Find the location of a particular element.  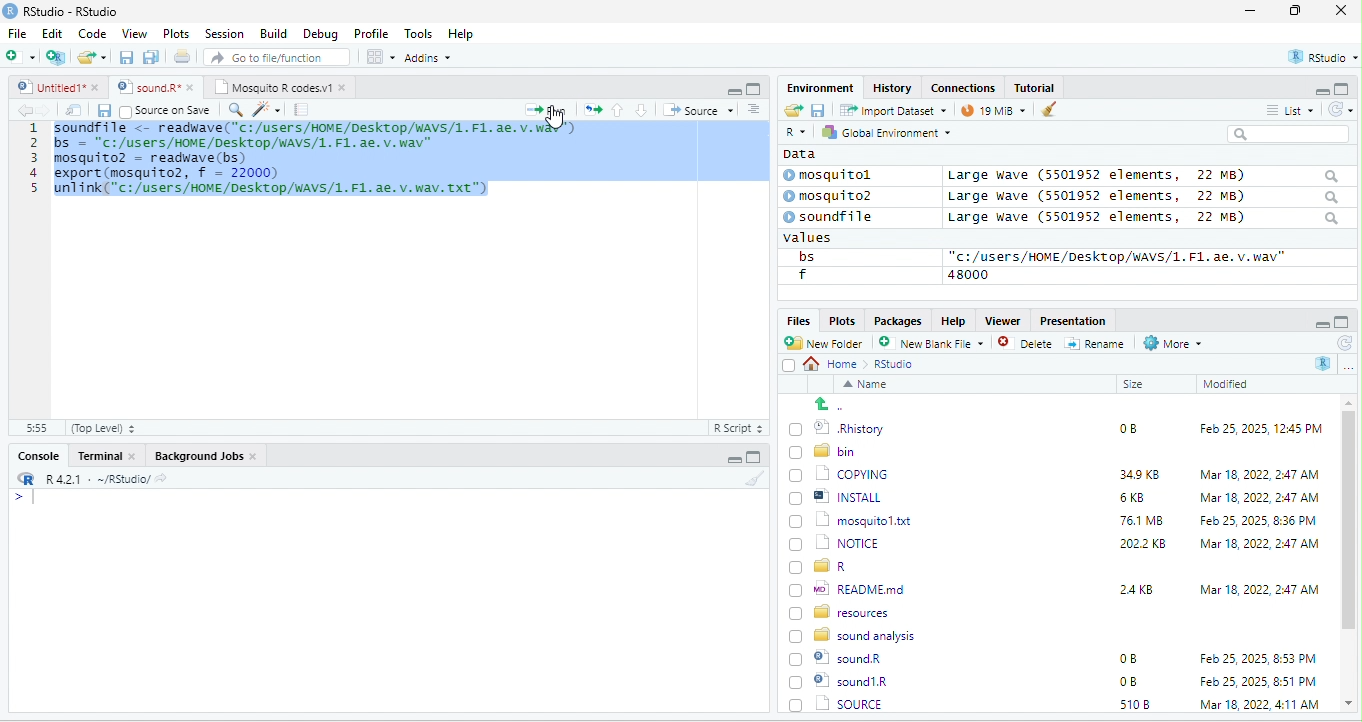

Feb 25, 2025, 12:45 PM is located at coordinates (1261, 431).